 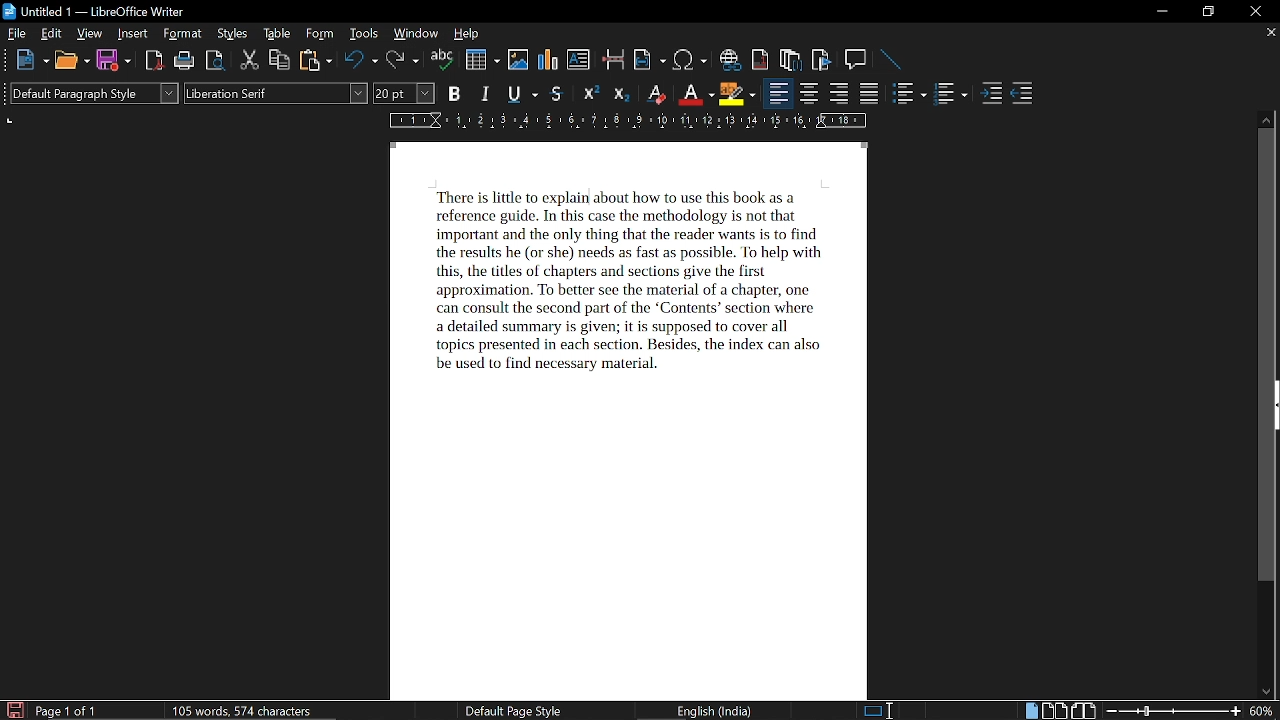 I want to click on redo, so click(x=402, y=61).